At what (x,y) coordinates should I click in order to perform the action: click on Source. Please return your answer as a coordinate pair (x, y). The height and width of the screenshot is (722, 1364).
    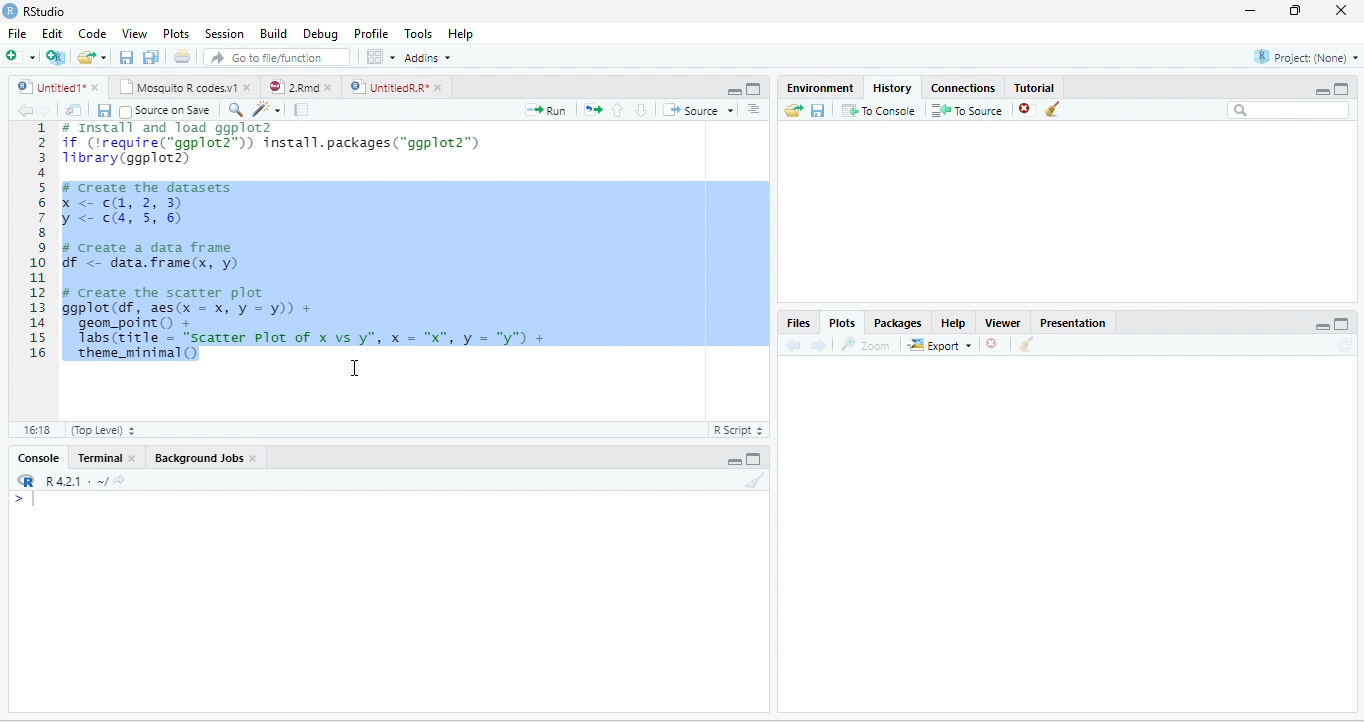
    Looking at the image, I should click on (697, 110).